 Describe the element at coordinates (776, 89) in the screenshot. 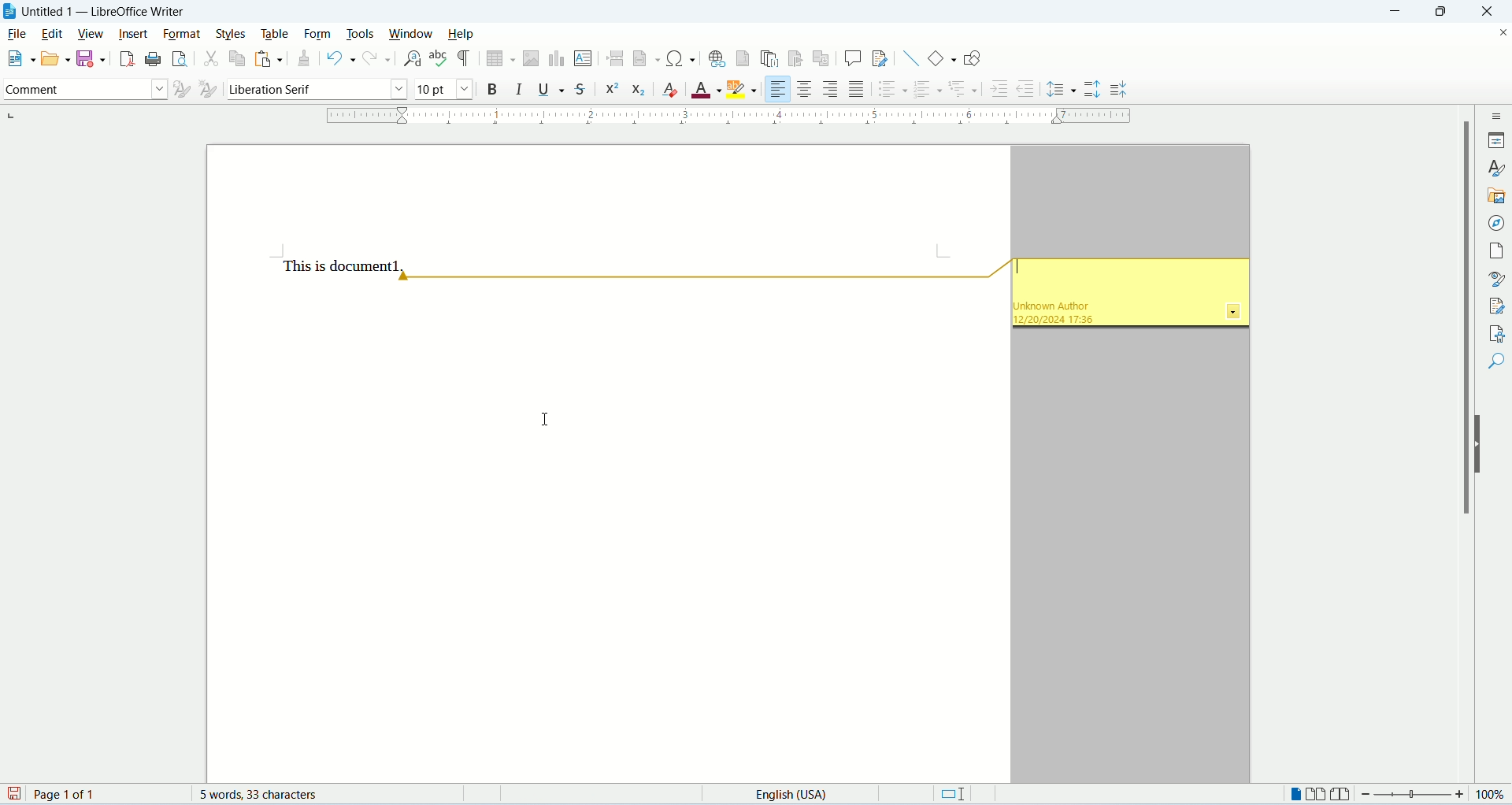

I see `align left` at that location.